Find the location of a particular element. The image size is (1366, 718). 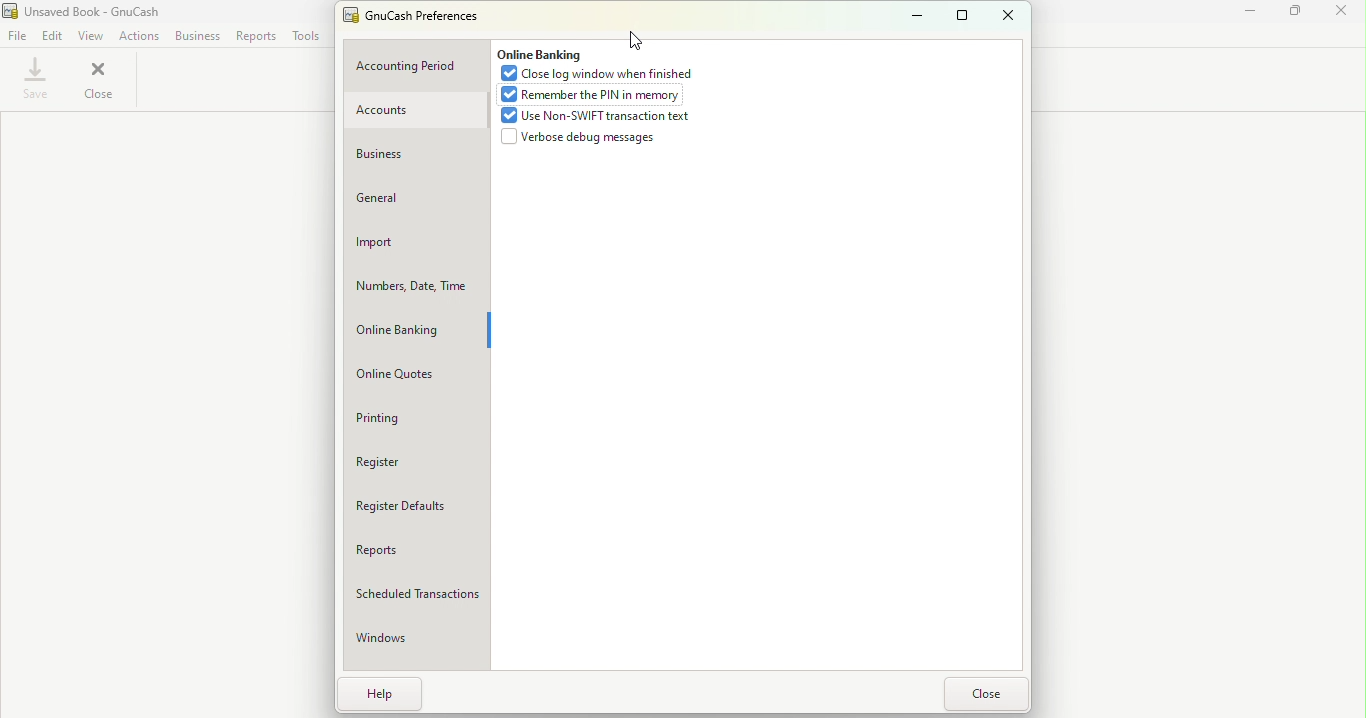

Save is located at coordinates (35, 82).